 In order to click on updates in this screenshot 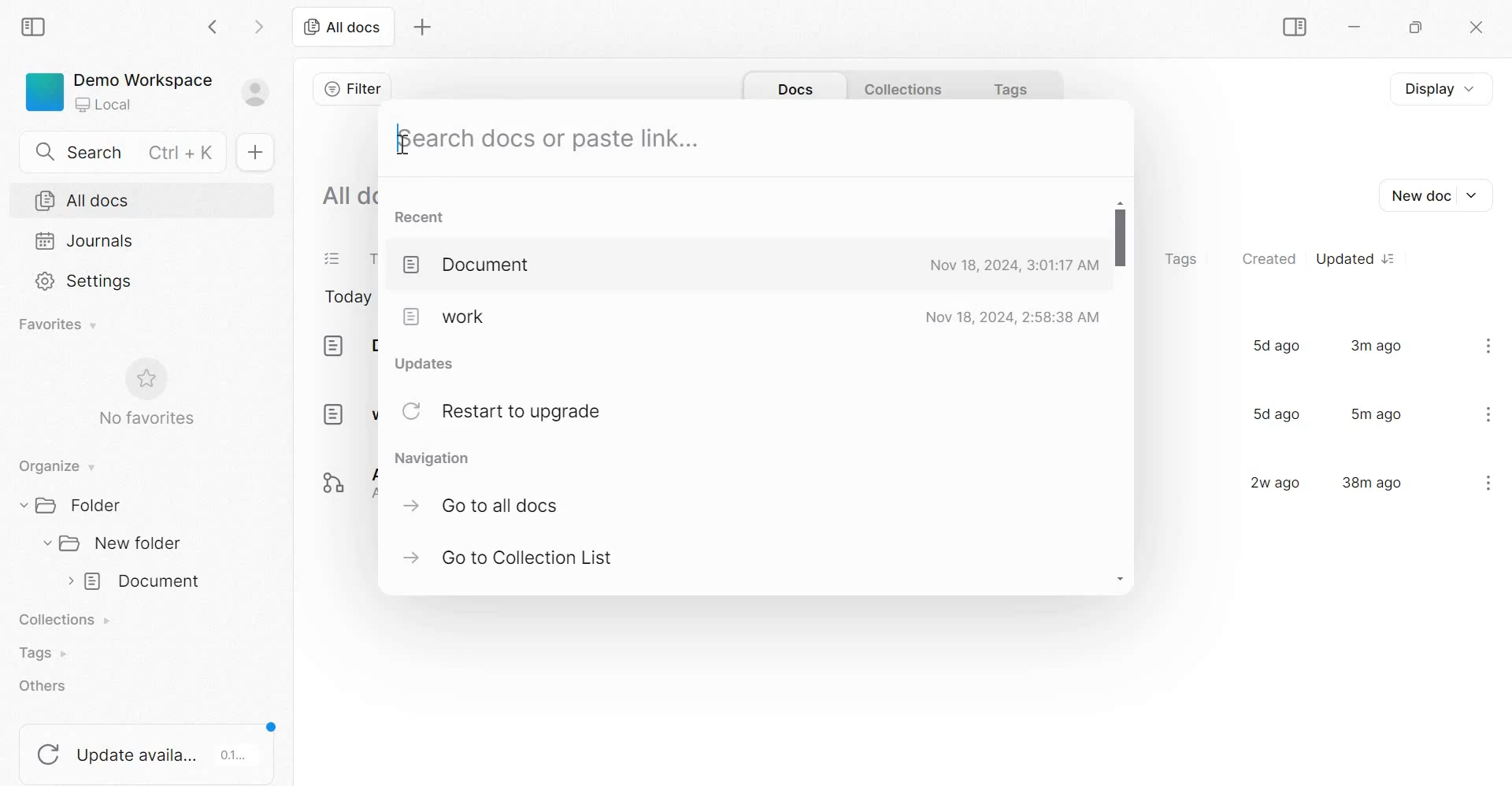, I will do `click(432, 364)`.